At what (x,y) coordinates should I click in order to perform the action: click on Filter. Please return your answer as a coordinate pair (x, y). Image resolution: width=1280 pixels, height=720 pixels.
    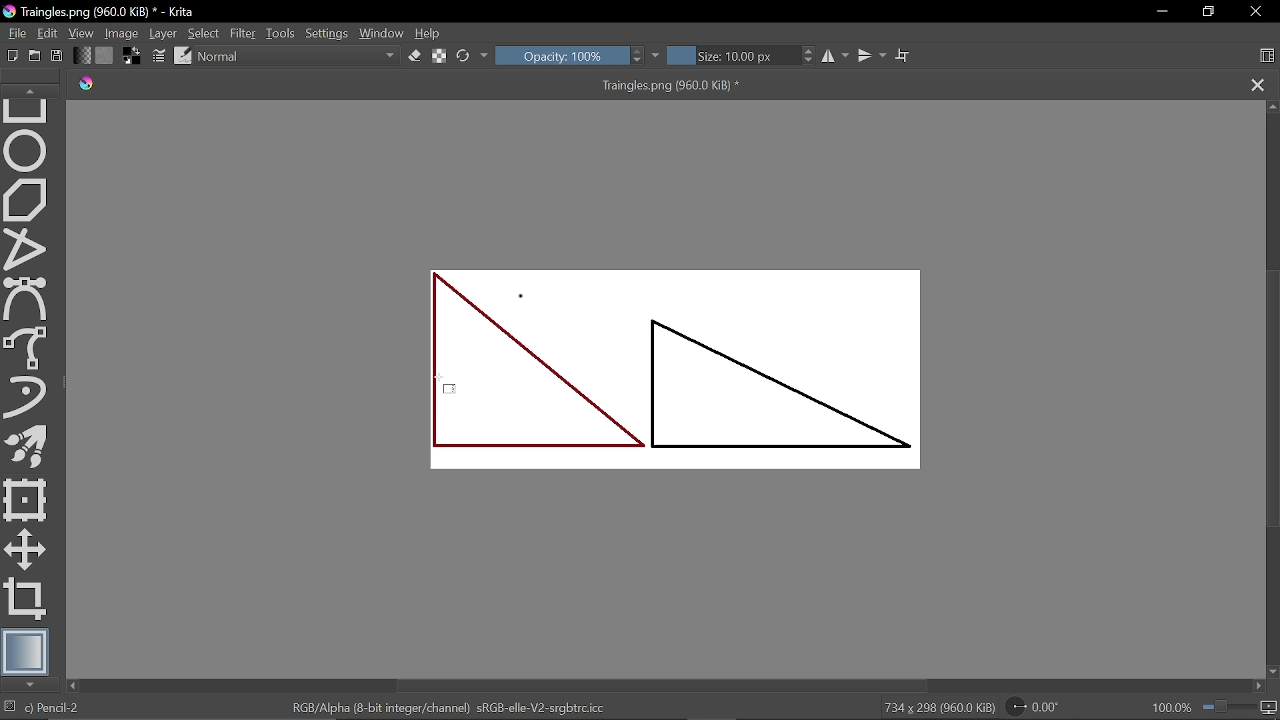
    Looking at the image, I should click on (244, 32).